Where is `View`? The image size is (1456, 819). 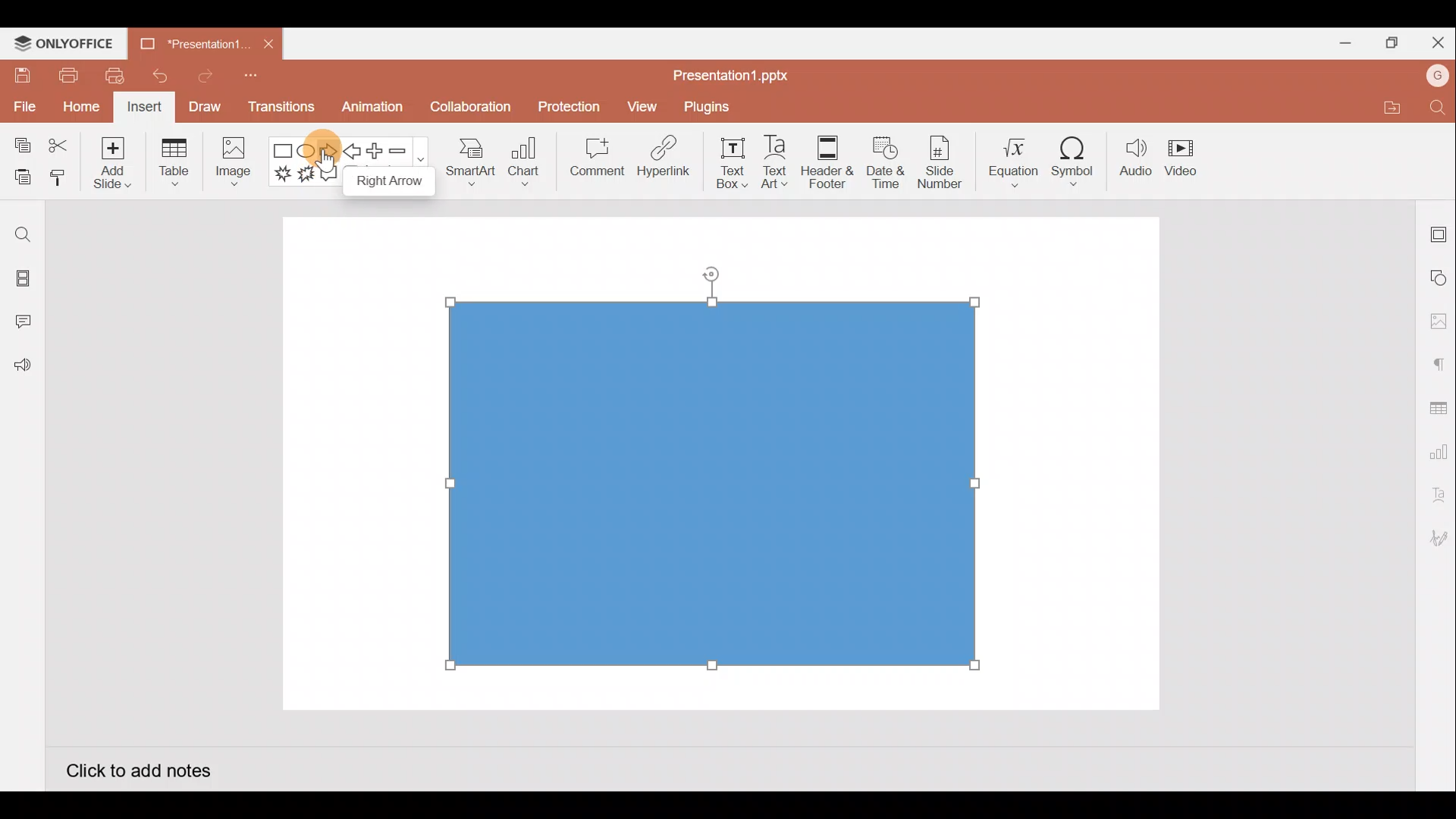 View is located at coordinates (645, 103).